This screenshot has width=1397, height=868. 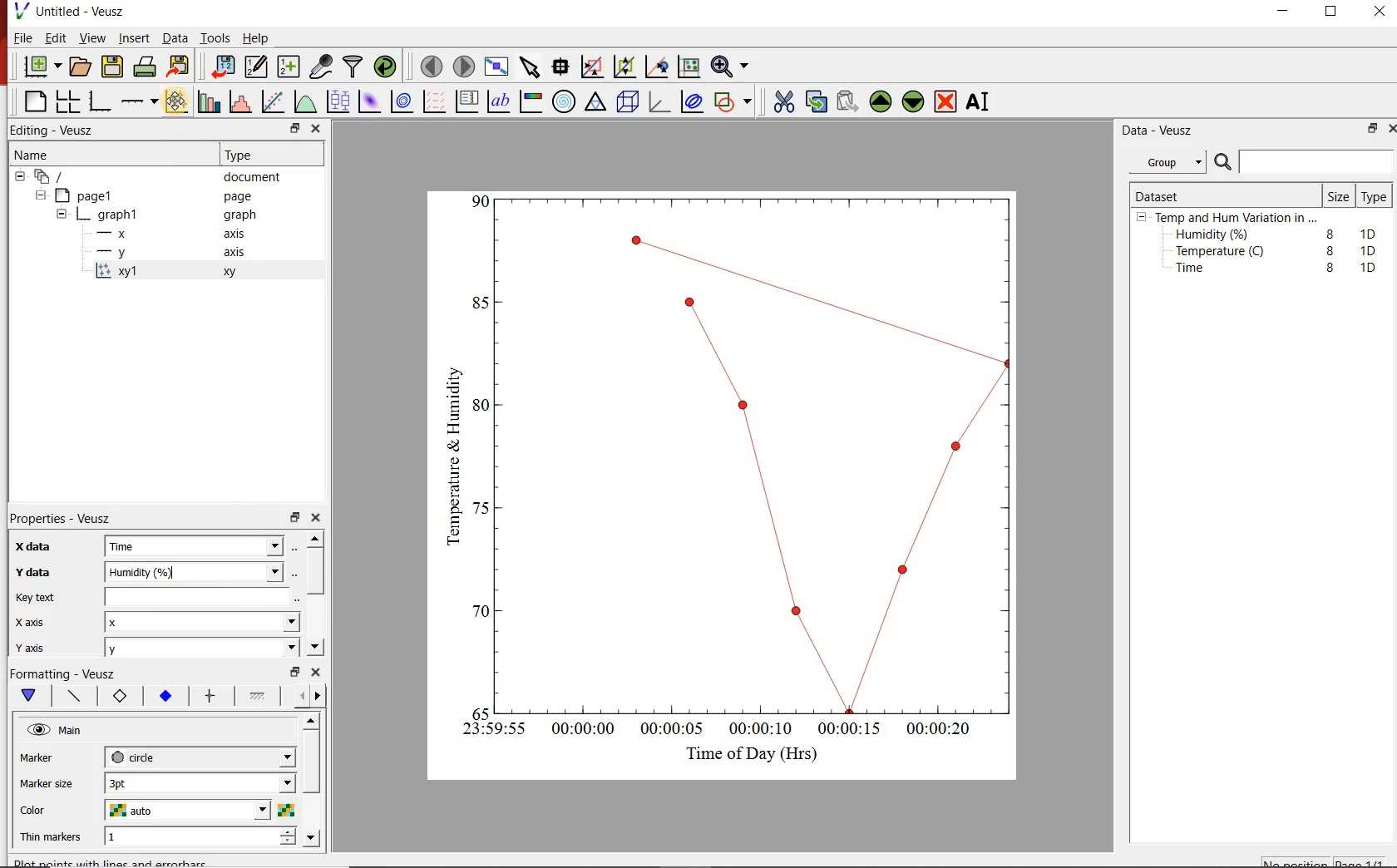 What do you see at coordinates (239, 216) in the screenshot?
I see `graph` at bounding box center [239, 216].